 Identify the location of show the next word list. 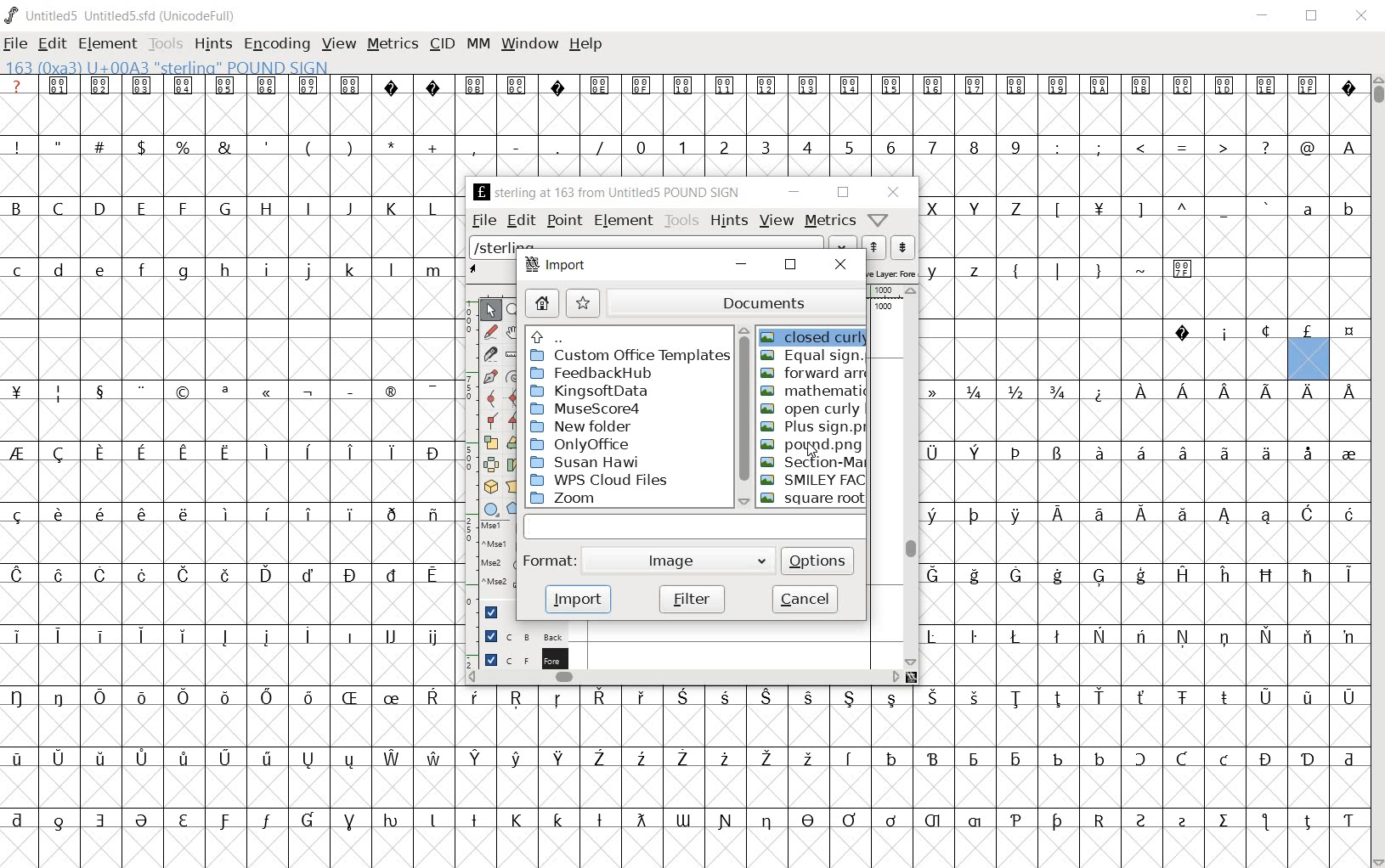
(904, 249).